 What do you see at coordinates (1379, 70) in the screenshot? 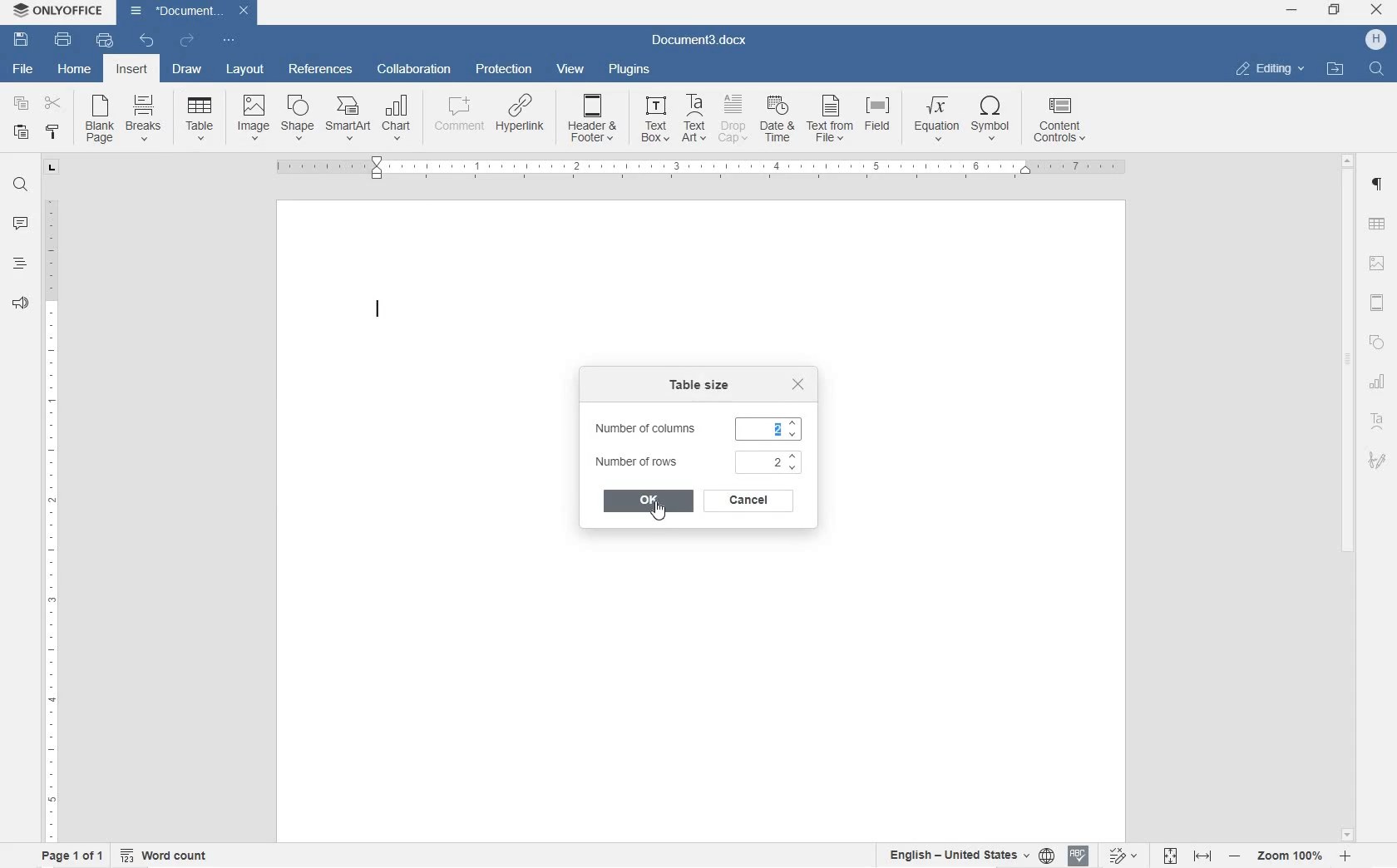
I see `find` at bounding box center [1379, 70].